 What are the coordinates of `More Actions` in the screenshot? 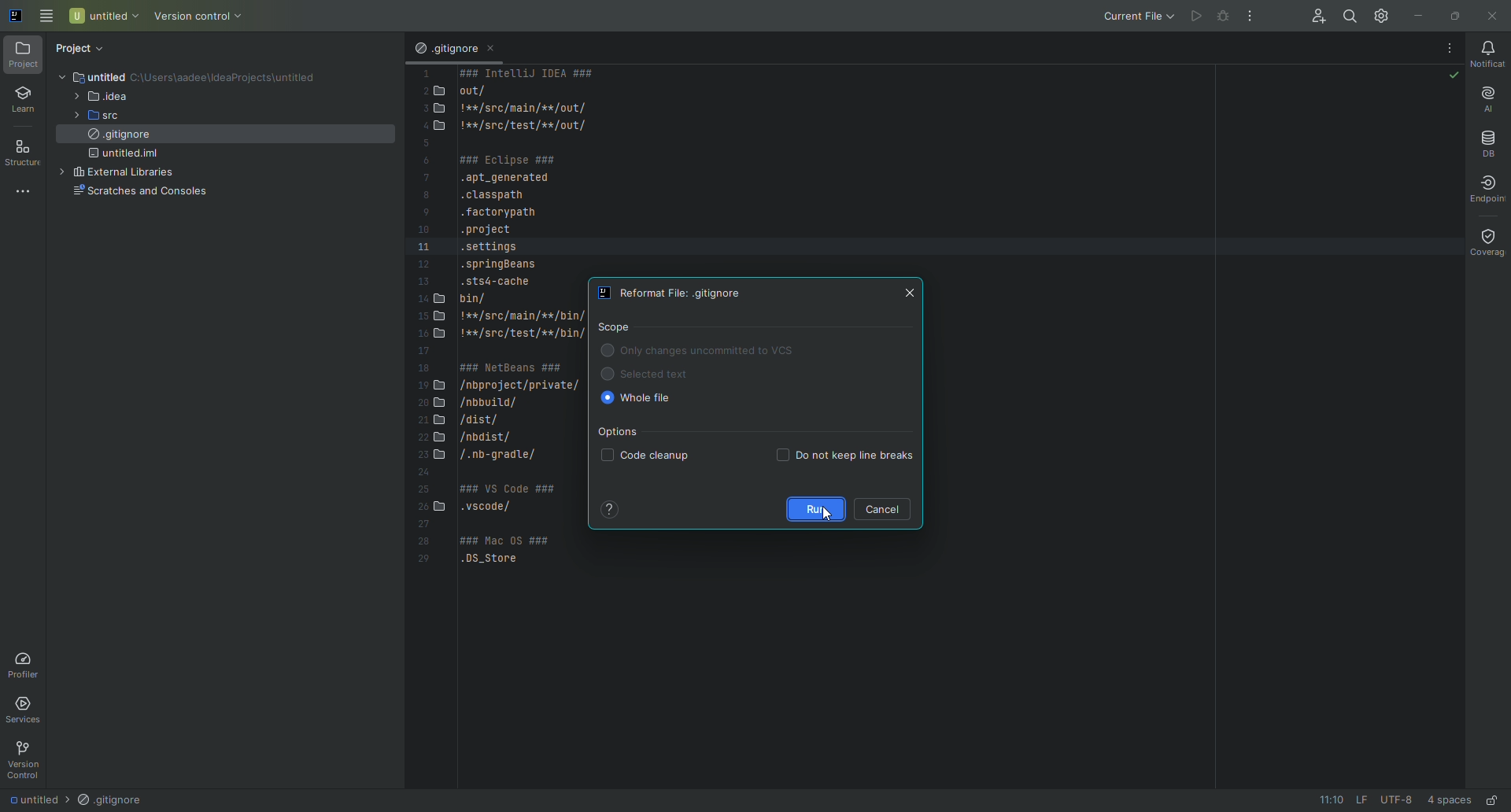 It's located at (1247, 17).